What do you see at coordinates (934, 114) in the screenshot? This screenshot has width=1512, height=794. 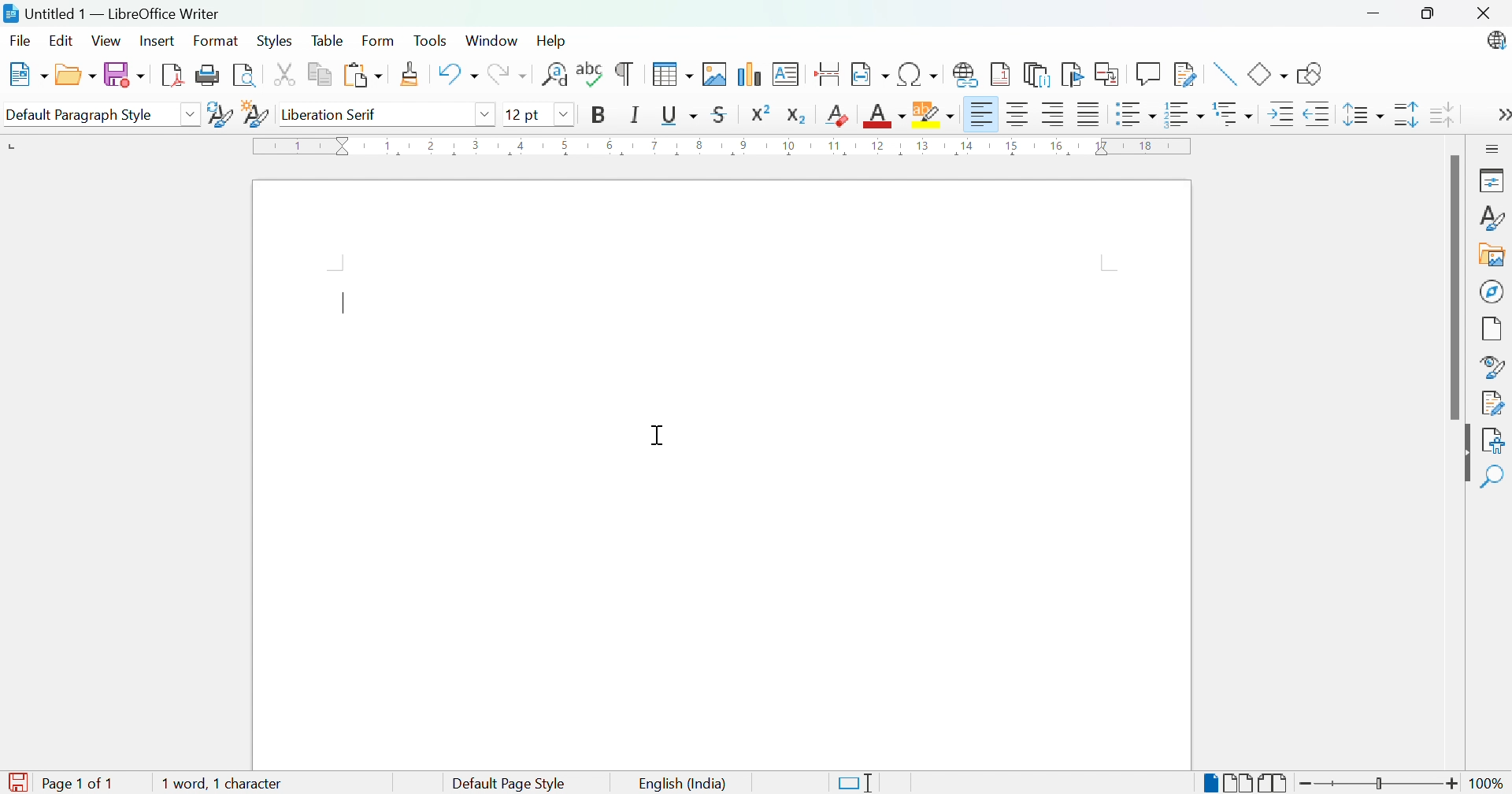 I see `Character highlighting color` at bounding box center [934, 114].